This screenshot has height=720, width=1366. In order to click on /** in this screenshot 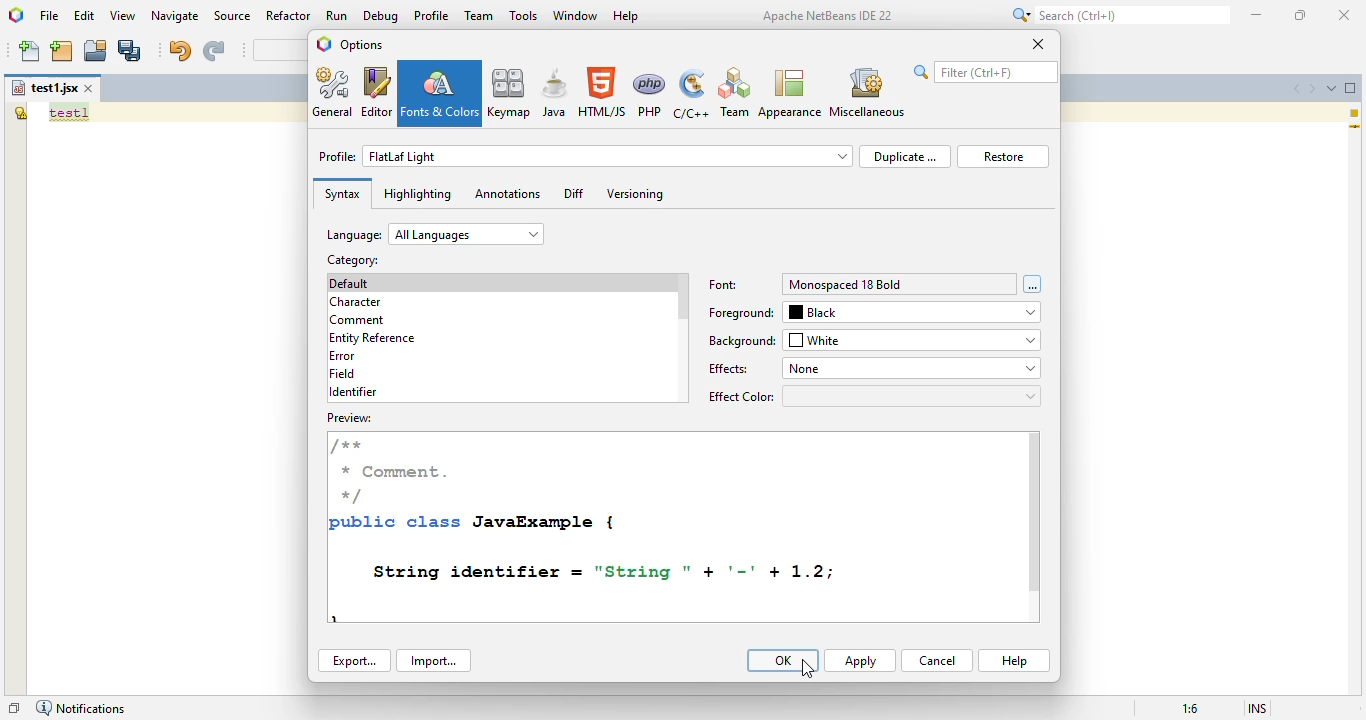, I will do `click(359, 445)`.